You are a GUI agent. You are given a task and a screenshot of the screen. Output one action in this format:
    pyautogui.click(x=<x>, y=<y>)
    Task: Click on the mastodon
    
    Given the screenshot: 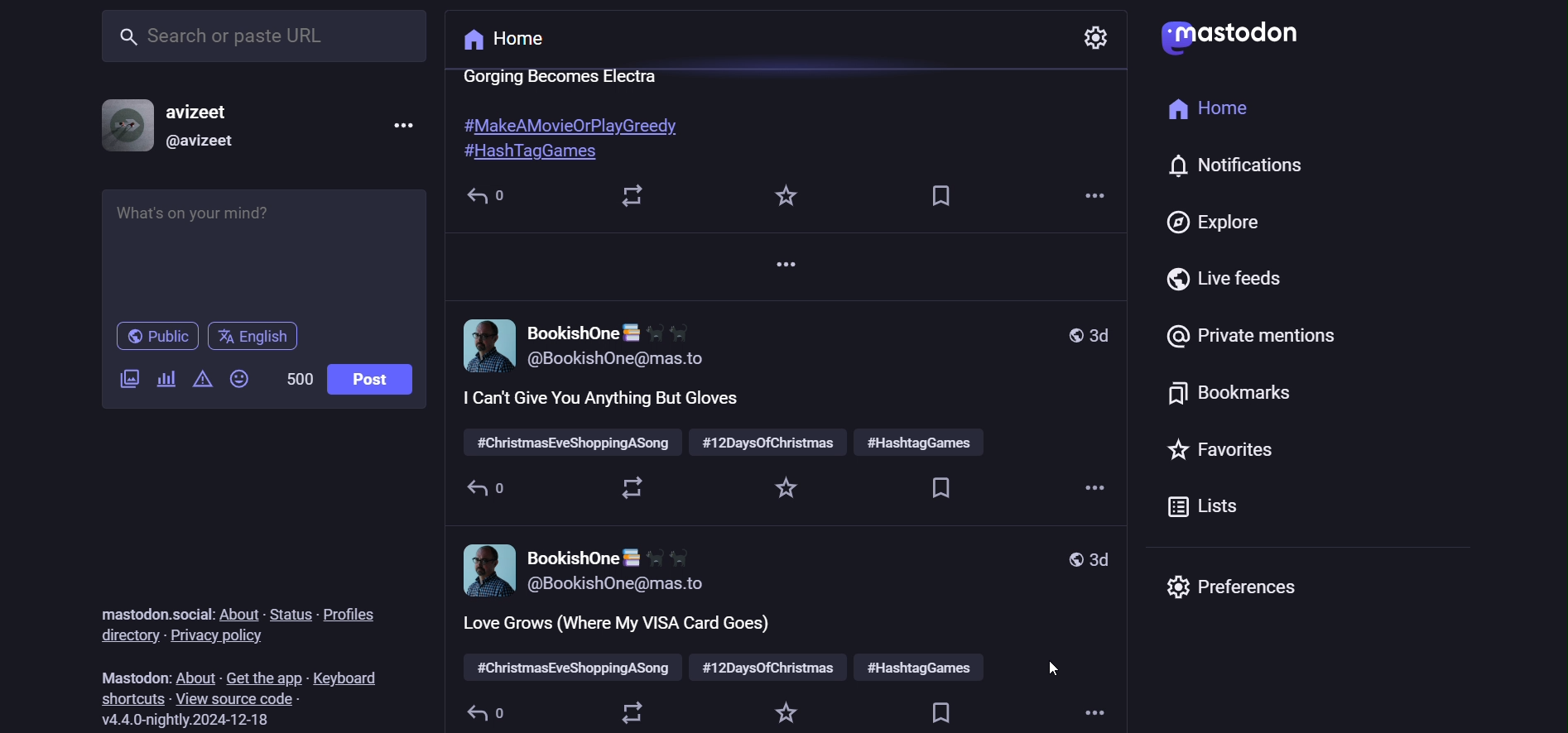 What is the action you would take?
    pyautogui.click(x=135, y=677)
    